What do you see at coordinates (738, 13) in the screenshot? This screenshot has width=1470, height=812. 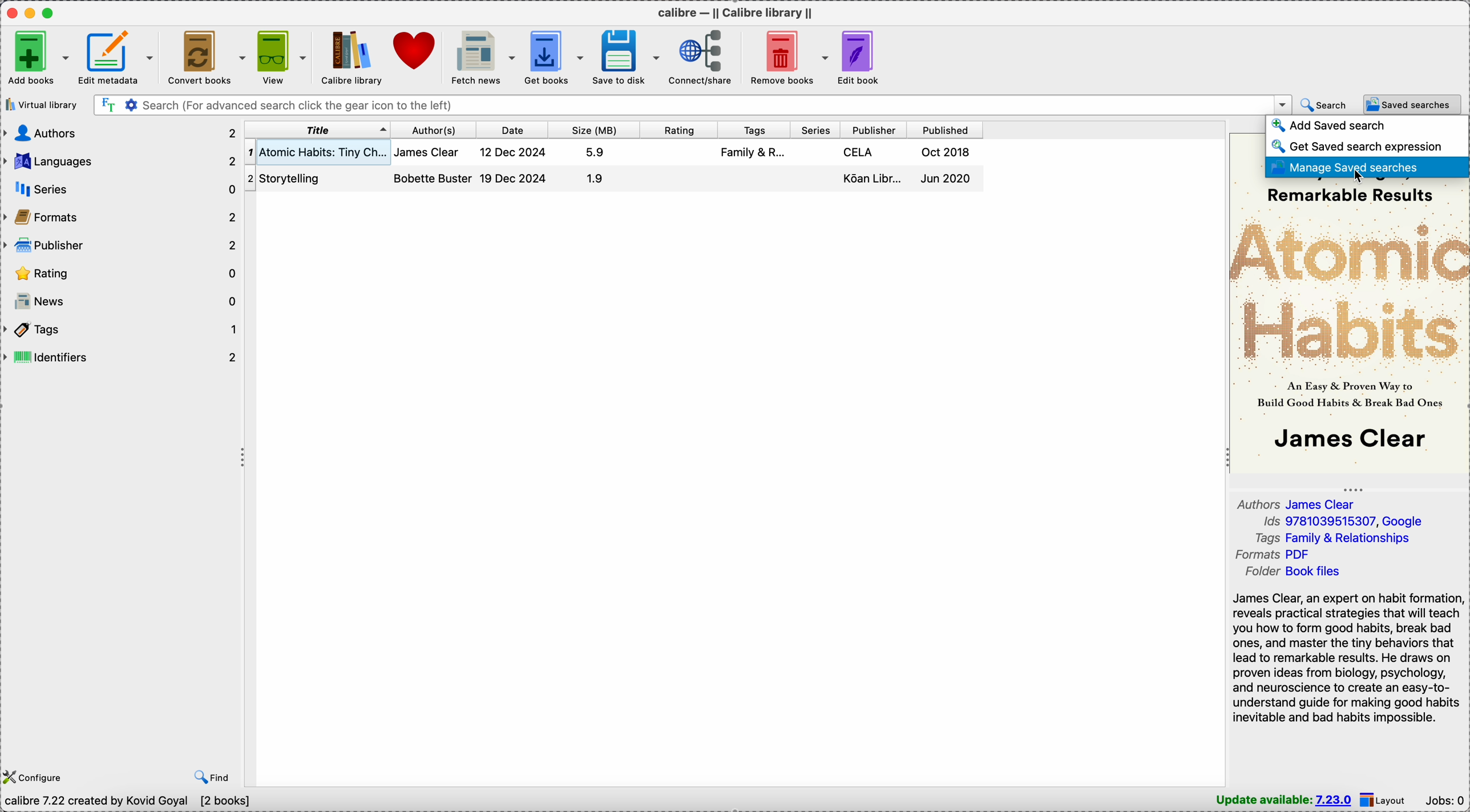 I see `calibre-|| calibre ||` at bounding box center [738, 13].